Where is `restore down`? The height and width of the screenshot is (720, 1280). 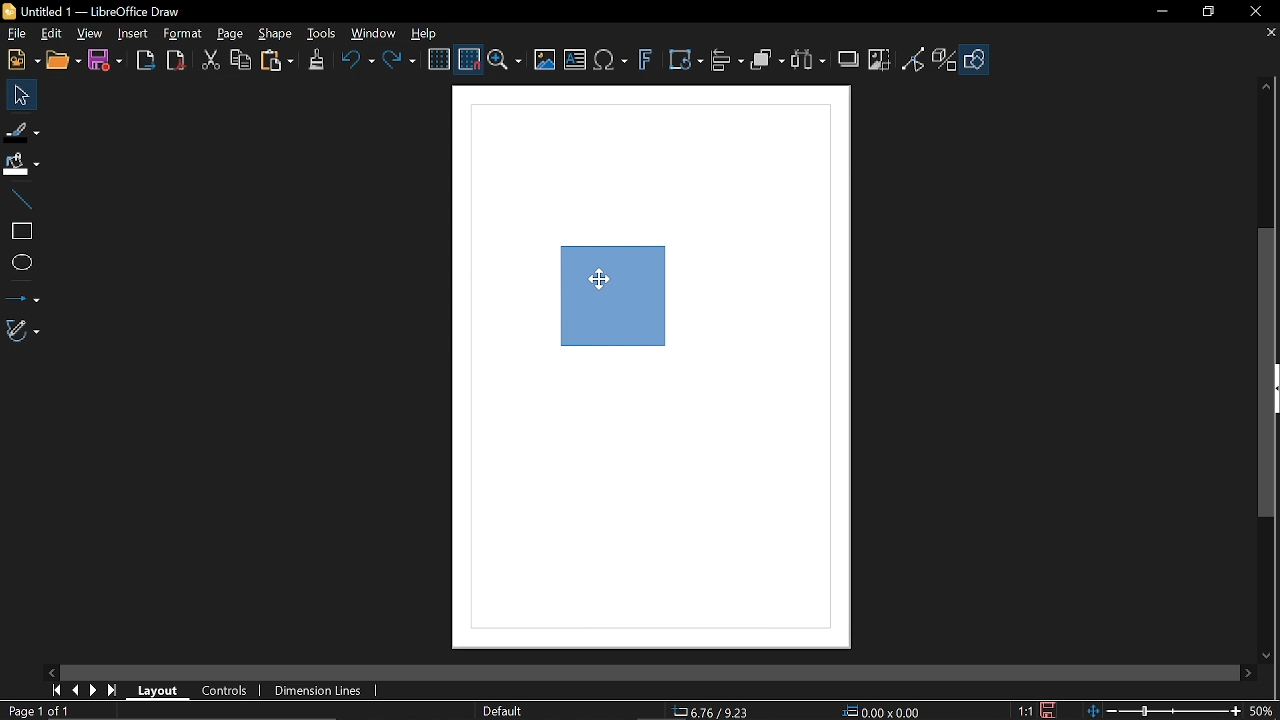
restore down is located at coordinates (1209, 13).